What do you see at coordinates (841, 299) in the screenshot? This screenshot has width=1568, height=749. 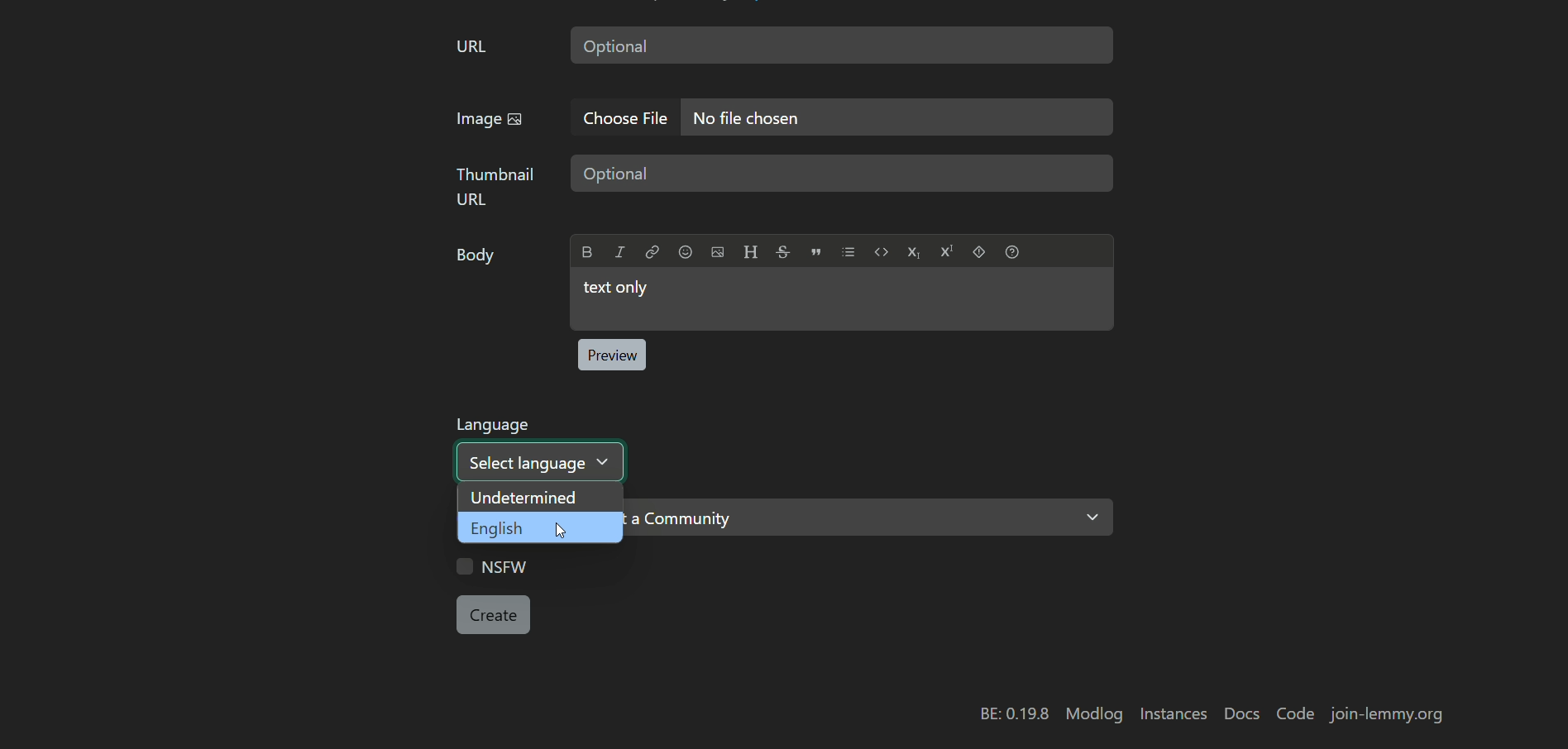 I see `text box` at bounding box center [841, 299].